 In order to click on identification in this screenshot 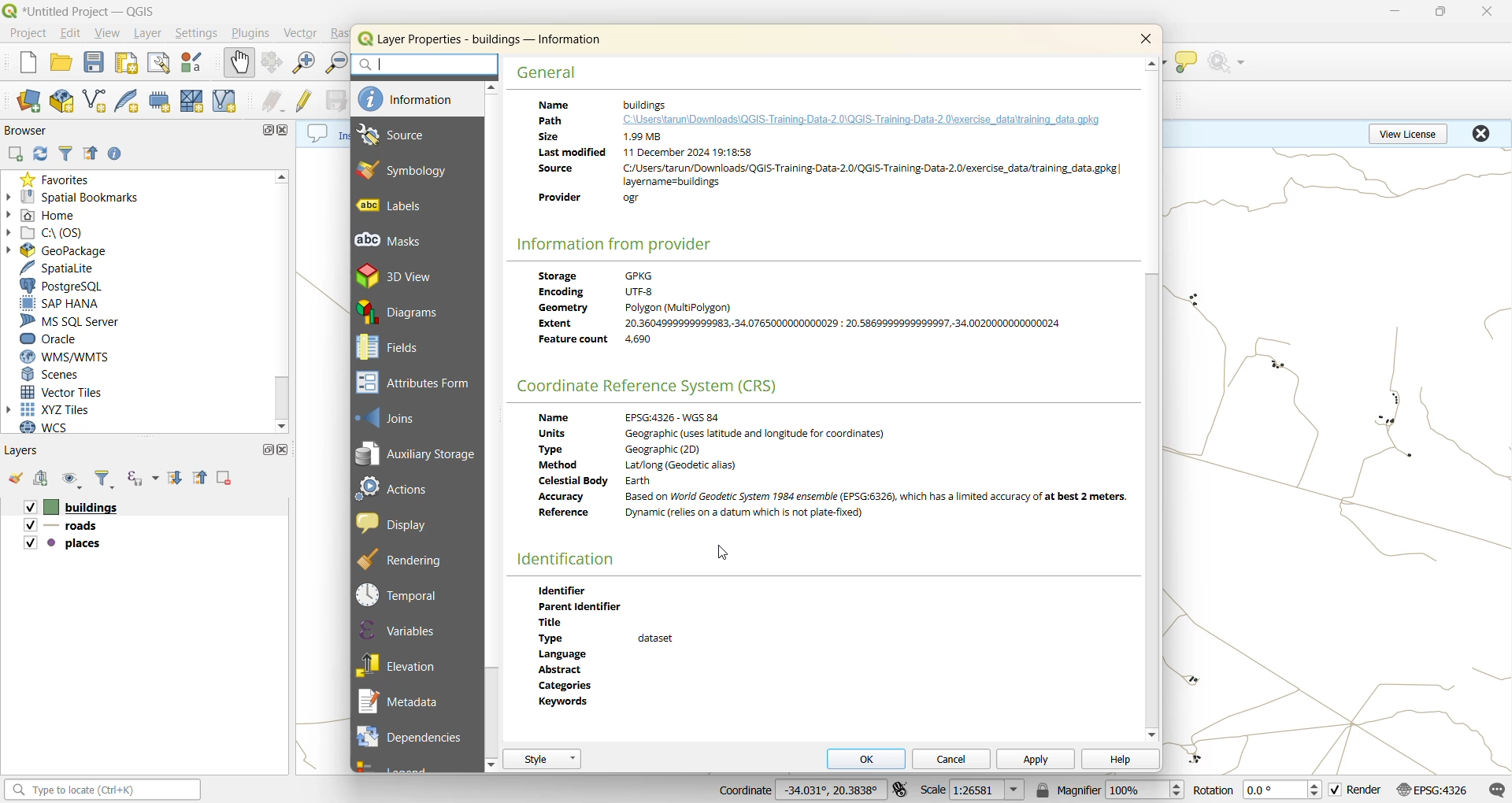, I will do `click(573, 561)`.